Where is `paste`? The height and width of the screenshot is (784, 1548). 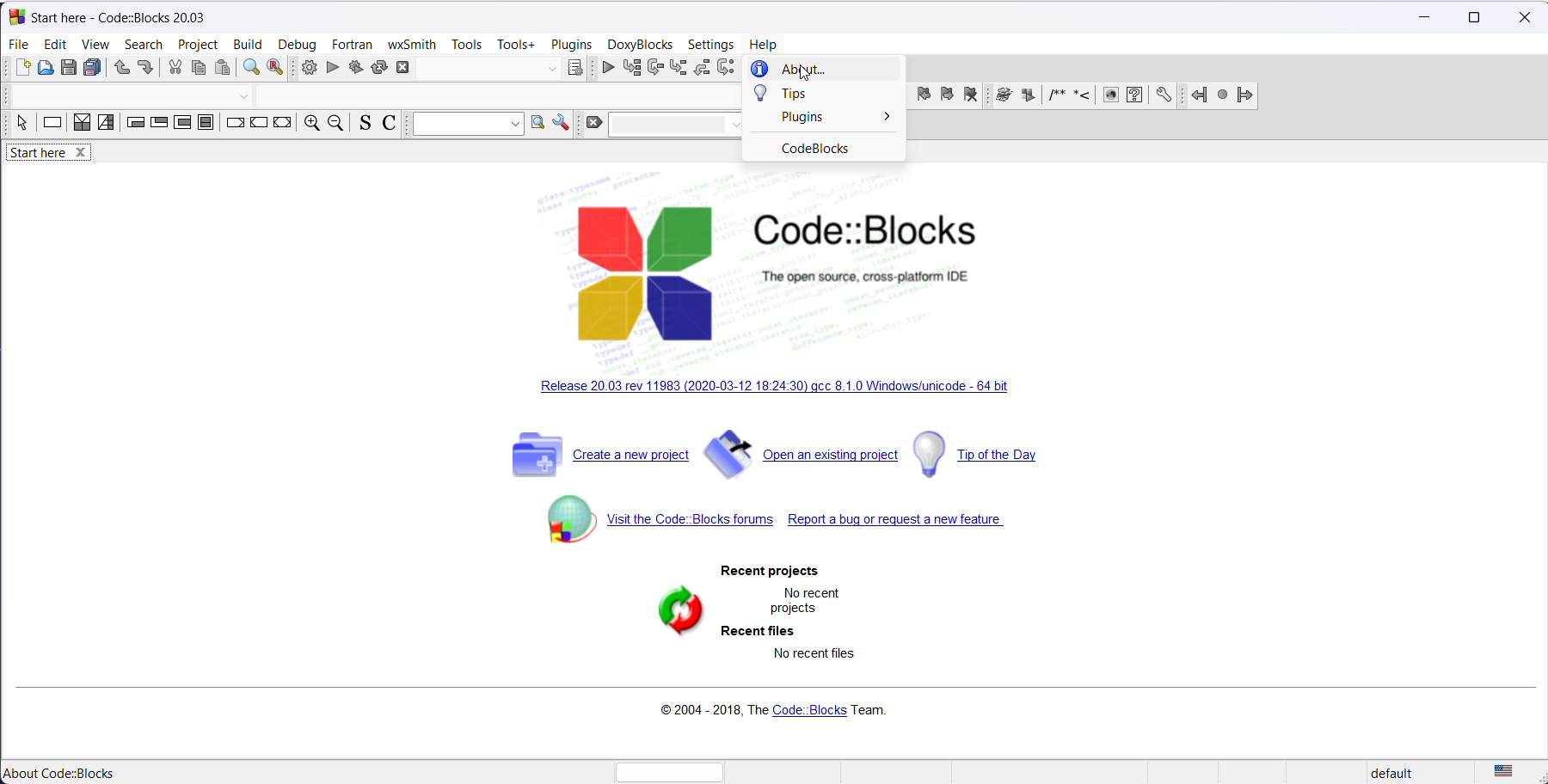 paste is located at coordinates (224, 70).